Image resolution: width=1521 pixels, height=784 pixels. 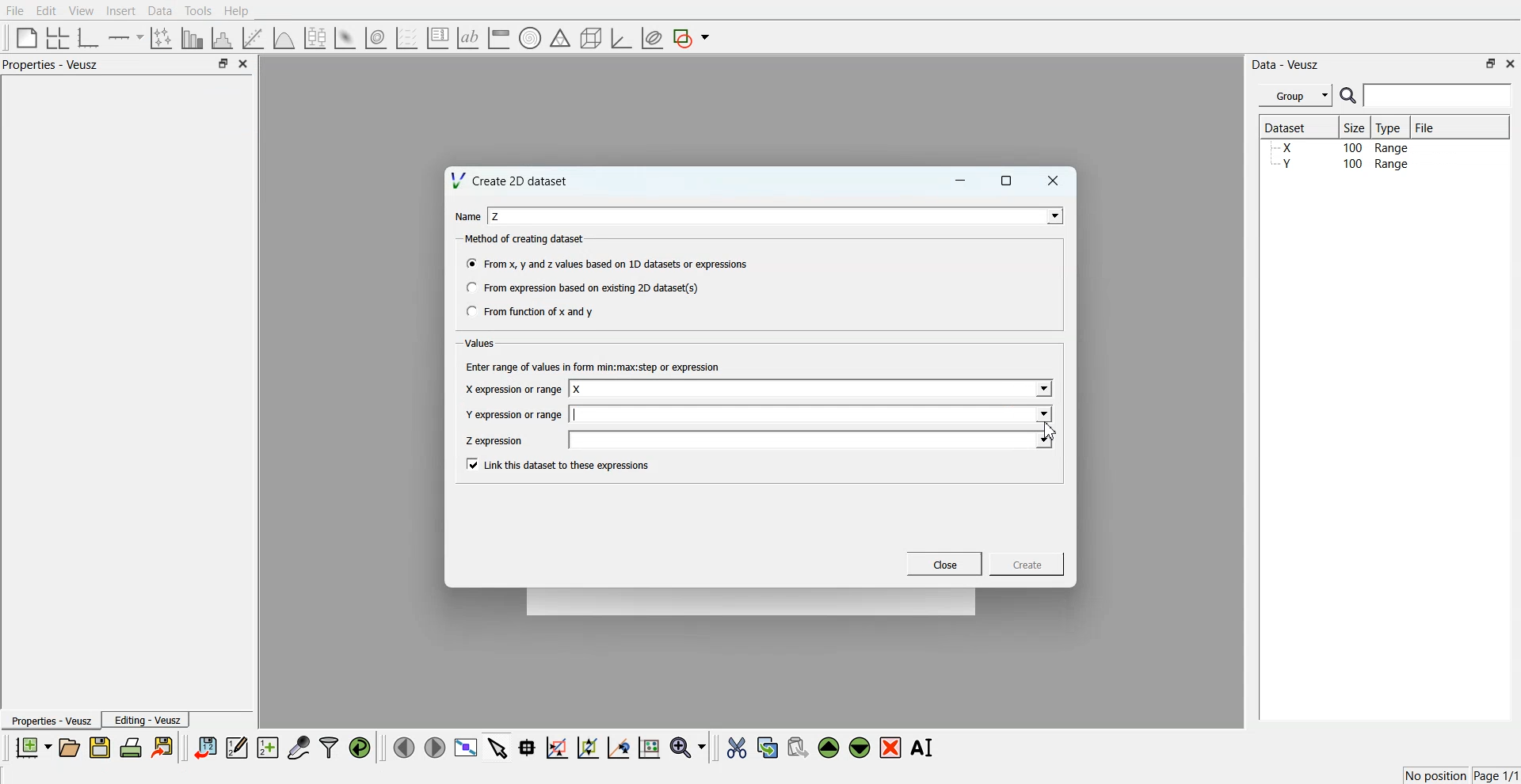 I want to click on Paste widget from the clipboard, so click(x=798, y=746).